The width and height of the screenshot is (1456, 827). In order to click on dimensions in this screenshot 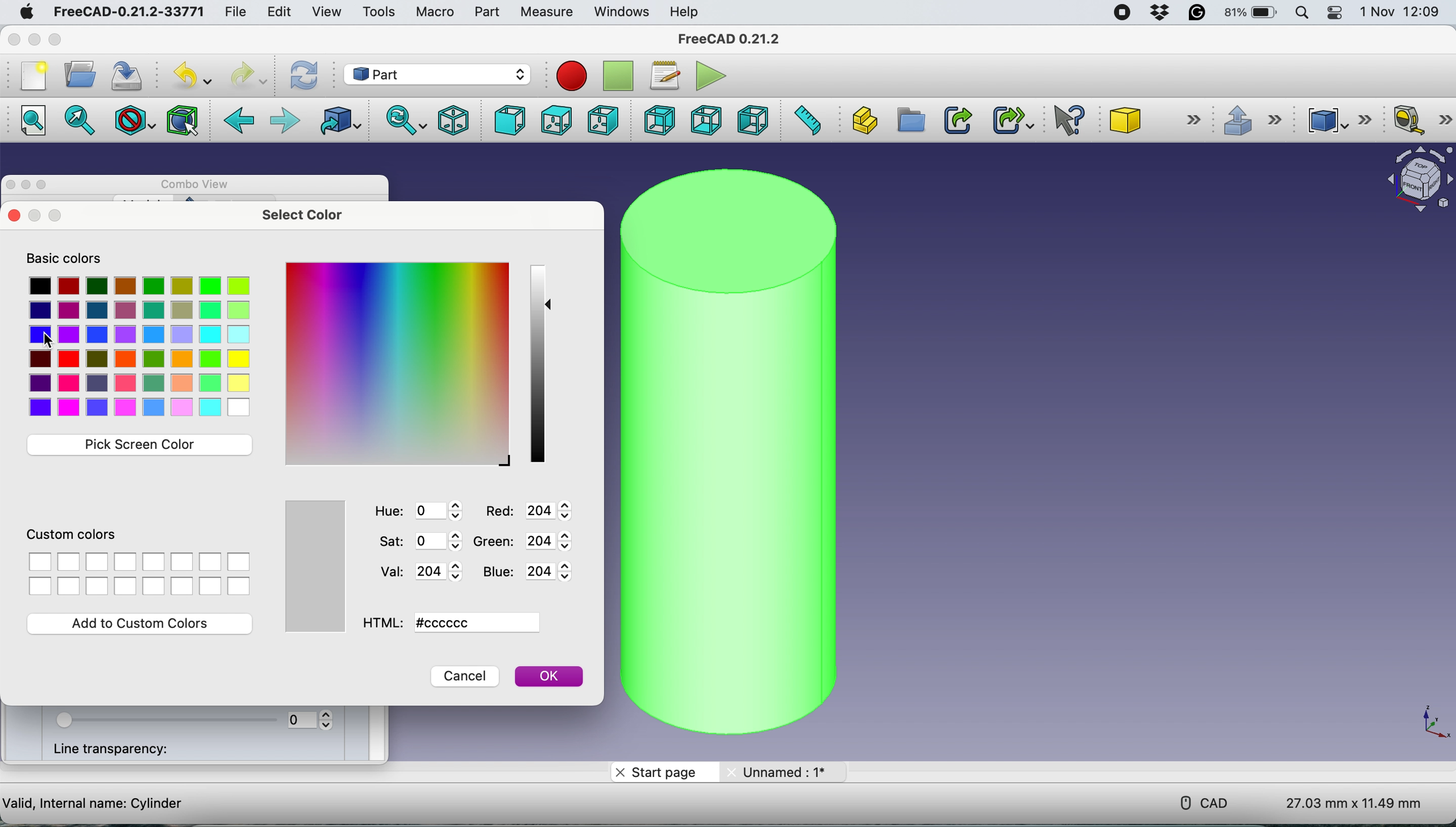, I will do `click(1347, 803)`.